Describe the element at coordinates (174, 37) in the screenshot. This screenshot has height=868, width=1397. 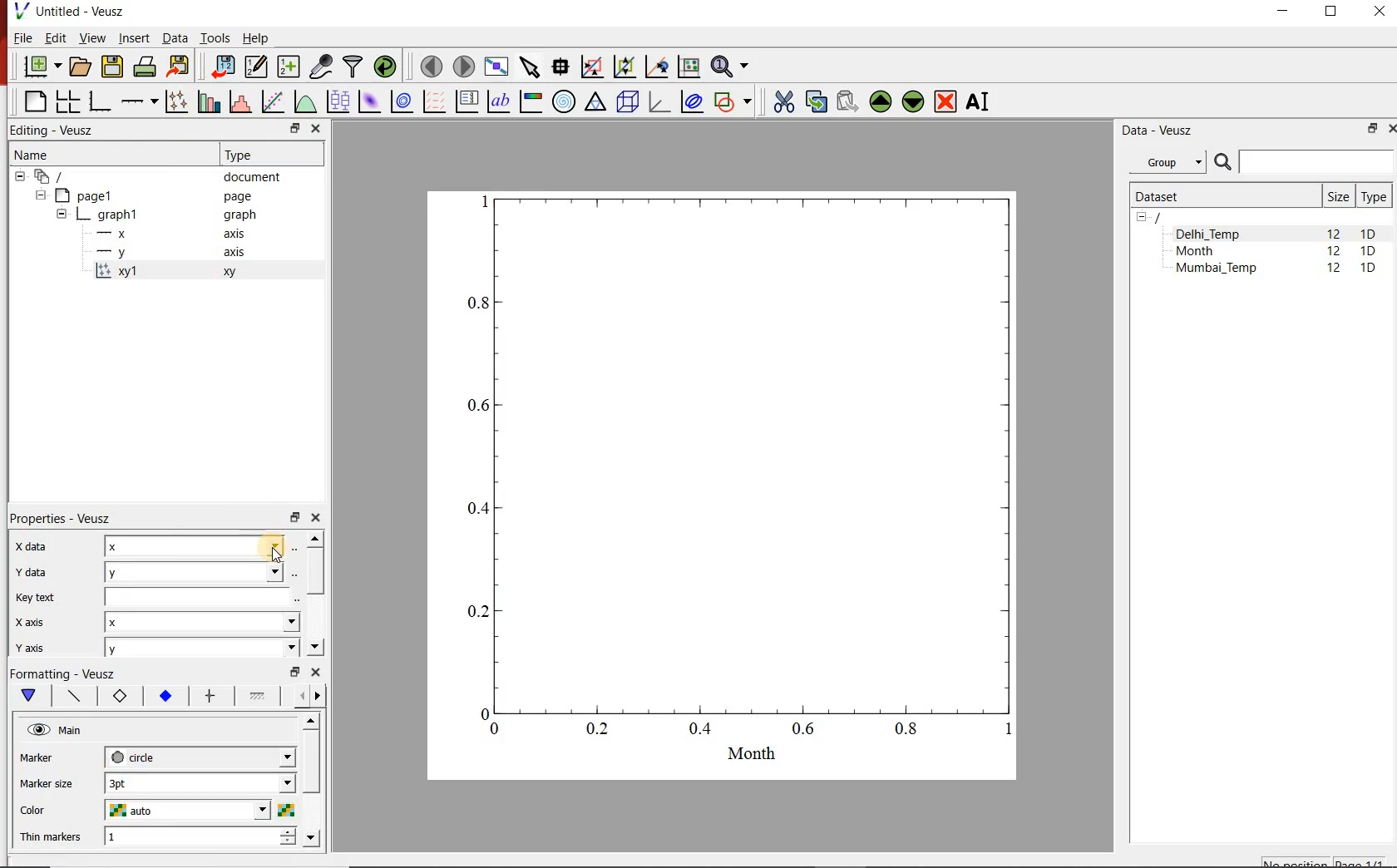
I see `Data` at that location.